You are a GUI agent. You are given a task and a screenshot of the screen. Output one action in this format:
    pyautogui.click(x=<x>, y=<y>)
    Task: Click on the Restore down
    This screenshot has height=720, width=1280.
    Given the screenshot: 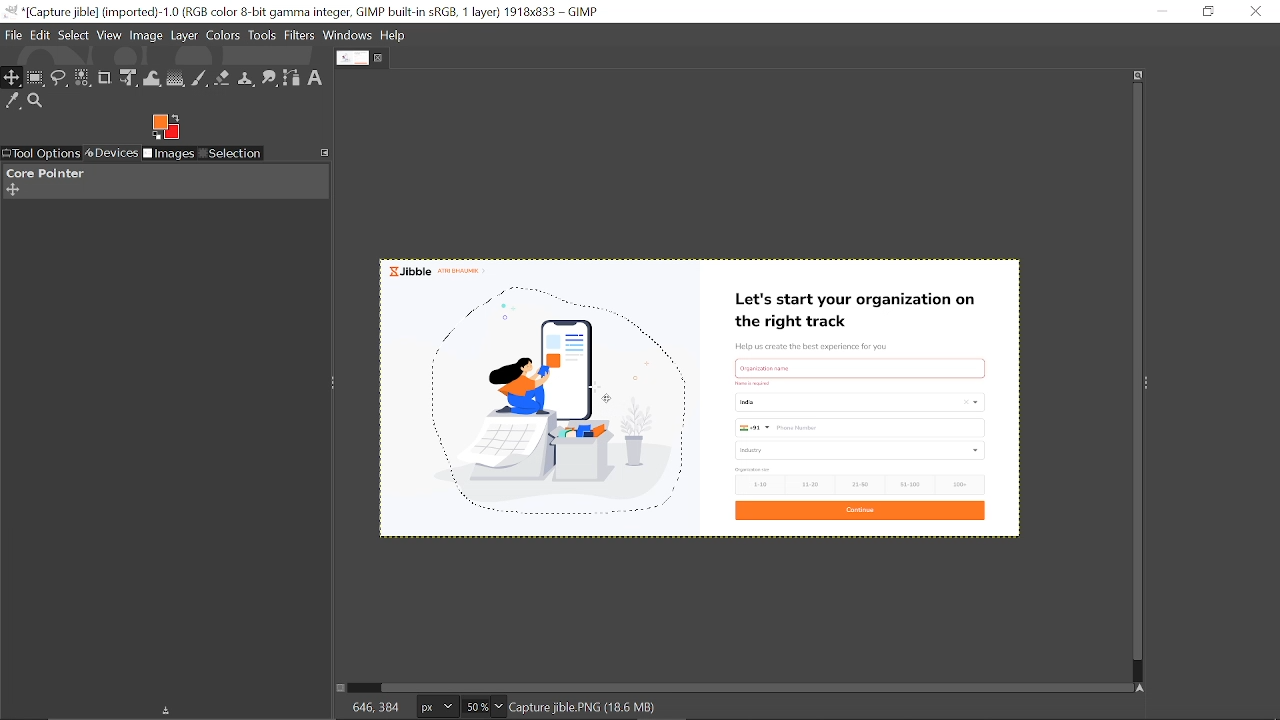 What is the action you would take?
    pyautogui.click(x=1210, y=11)
    